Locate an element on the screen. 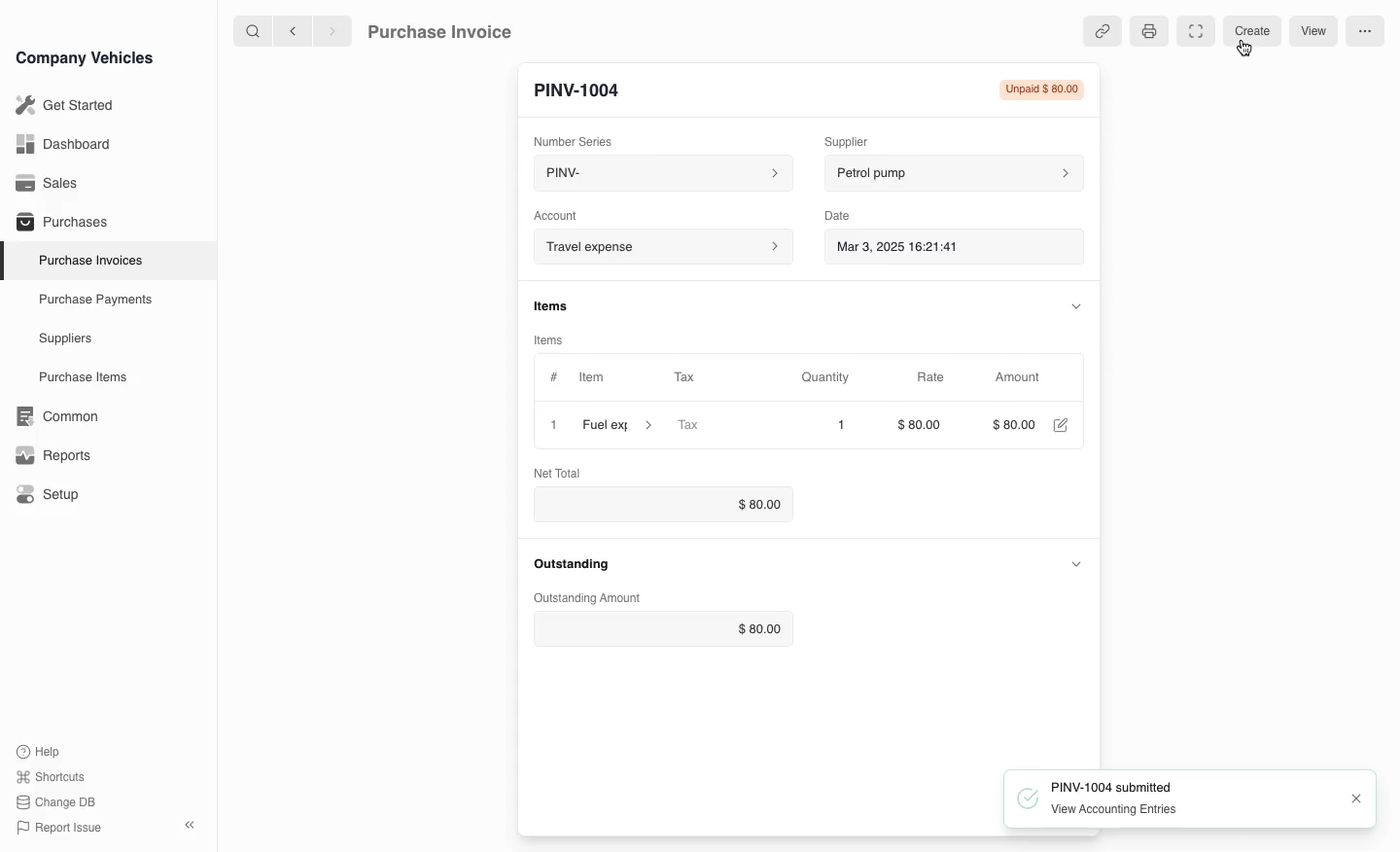  item   is located at coordinates (617, 428).